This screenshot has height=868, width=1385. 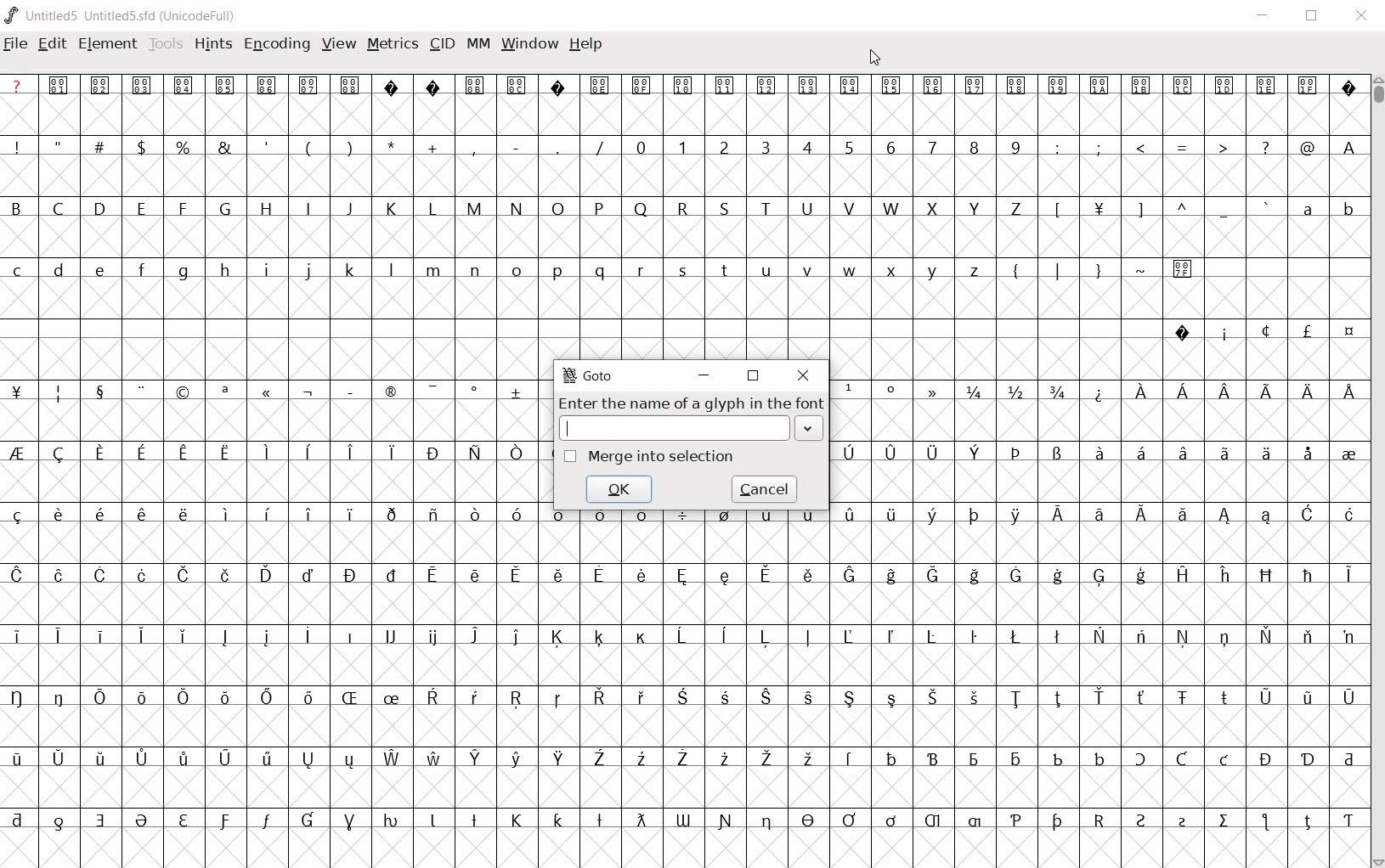 I want to click on Symbol, so click(x=56, y=516).